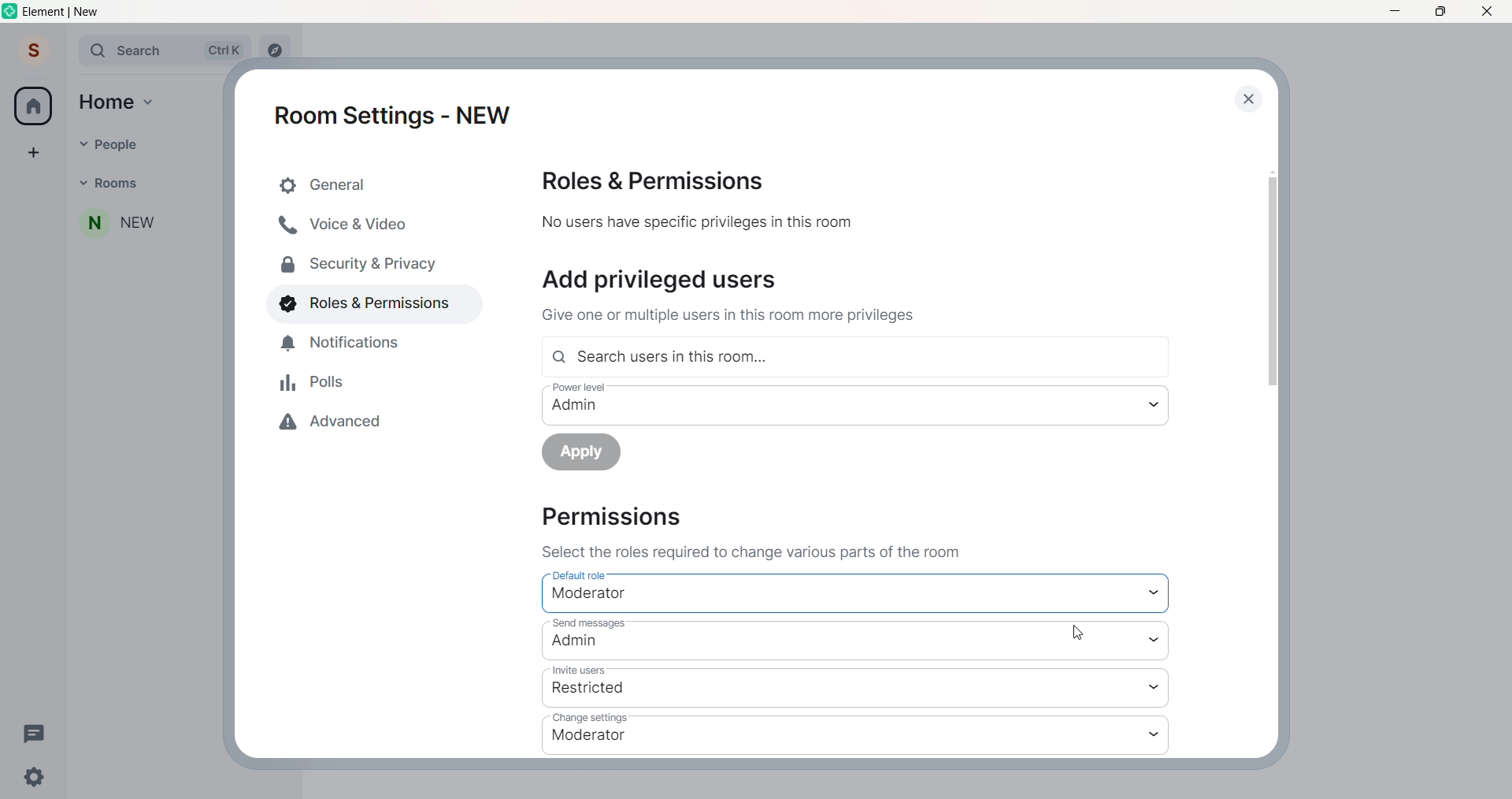 The height and width of the screenshot is (799, 1512). What do you see at coordinates (1245, 98) in the screenshot?
I see `close dialog` at bounding box center [1245, 98].